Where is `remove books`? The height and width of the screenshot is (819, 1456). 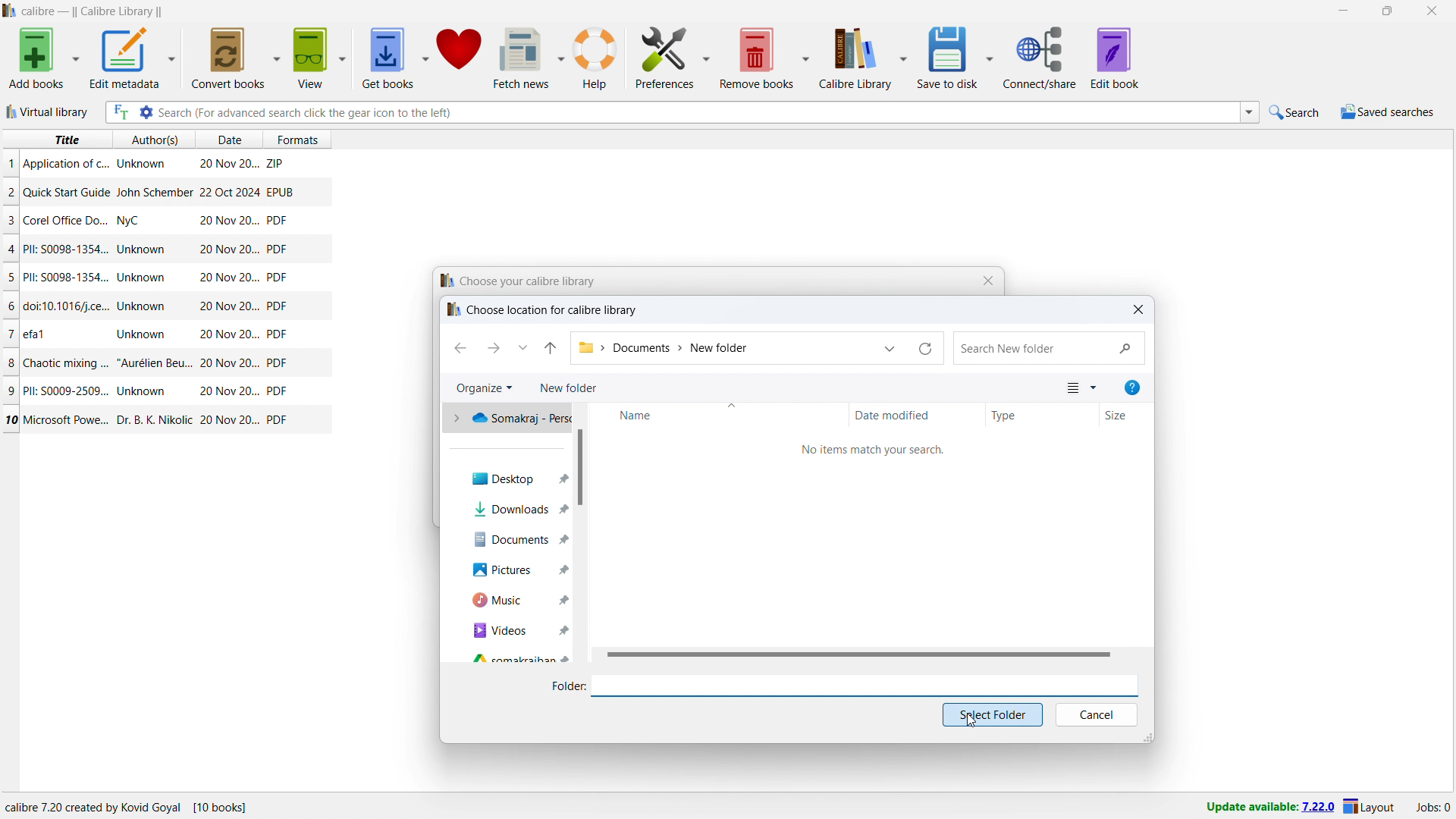 remove books is located at coordinates (757, 58).